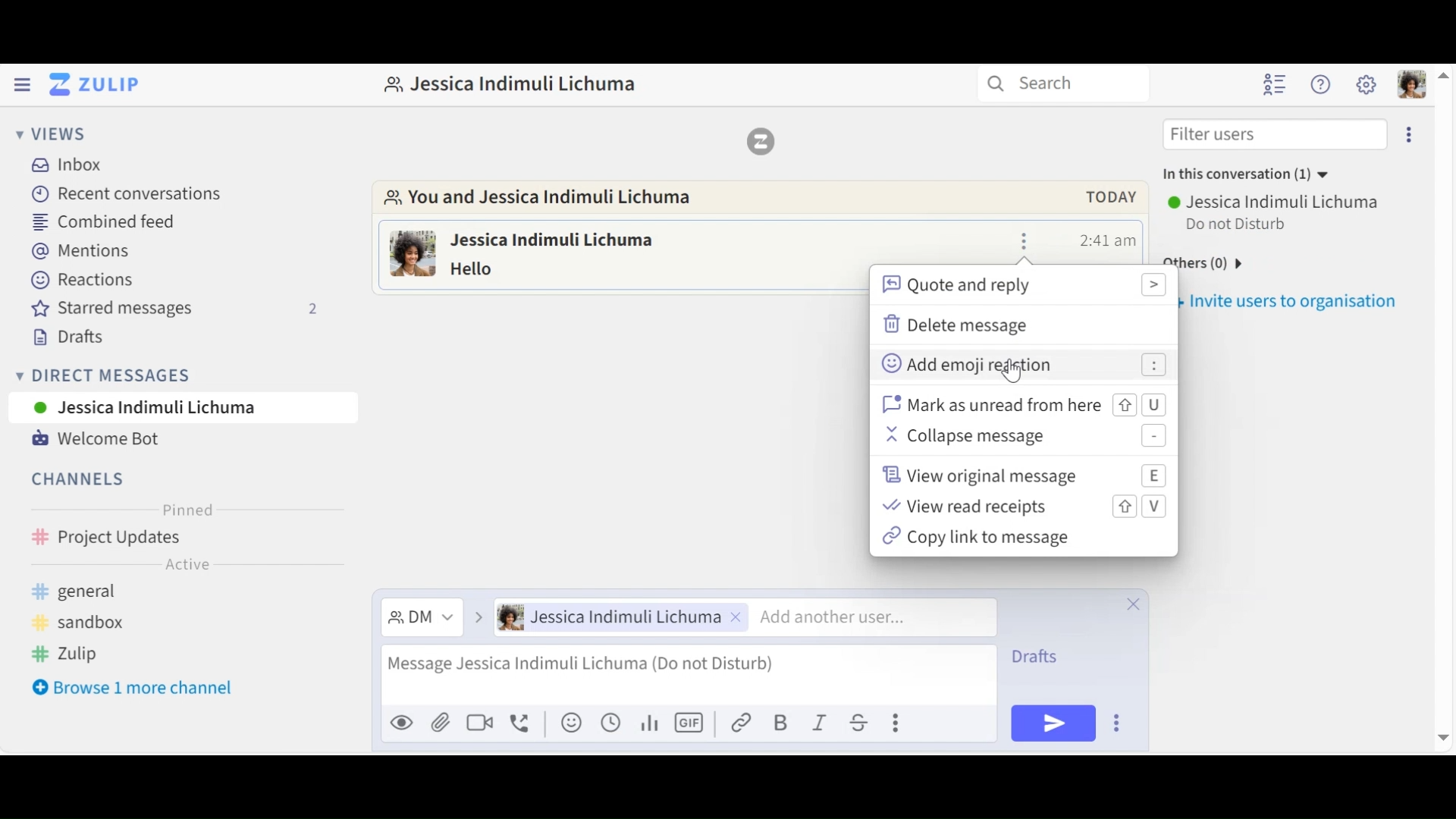  Describe the element at coordinates (1022, 286) in the screenshot. I see `Quote and Reply` at that location.